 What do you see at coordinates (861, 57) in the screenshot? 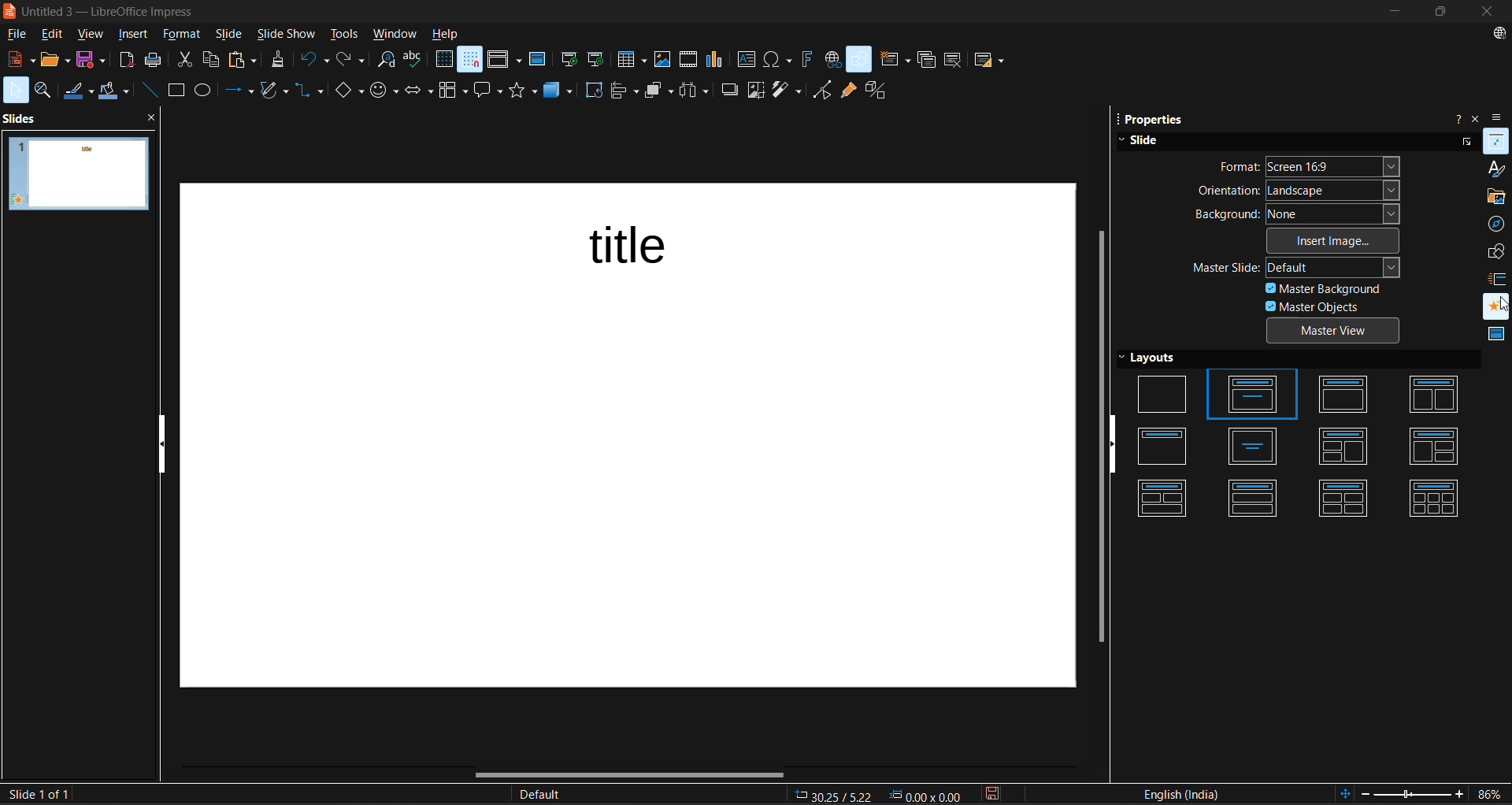
I see `show draw functions` at bounding box center [861, 57].